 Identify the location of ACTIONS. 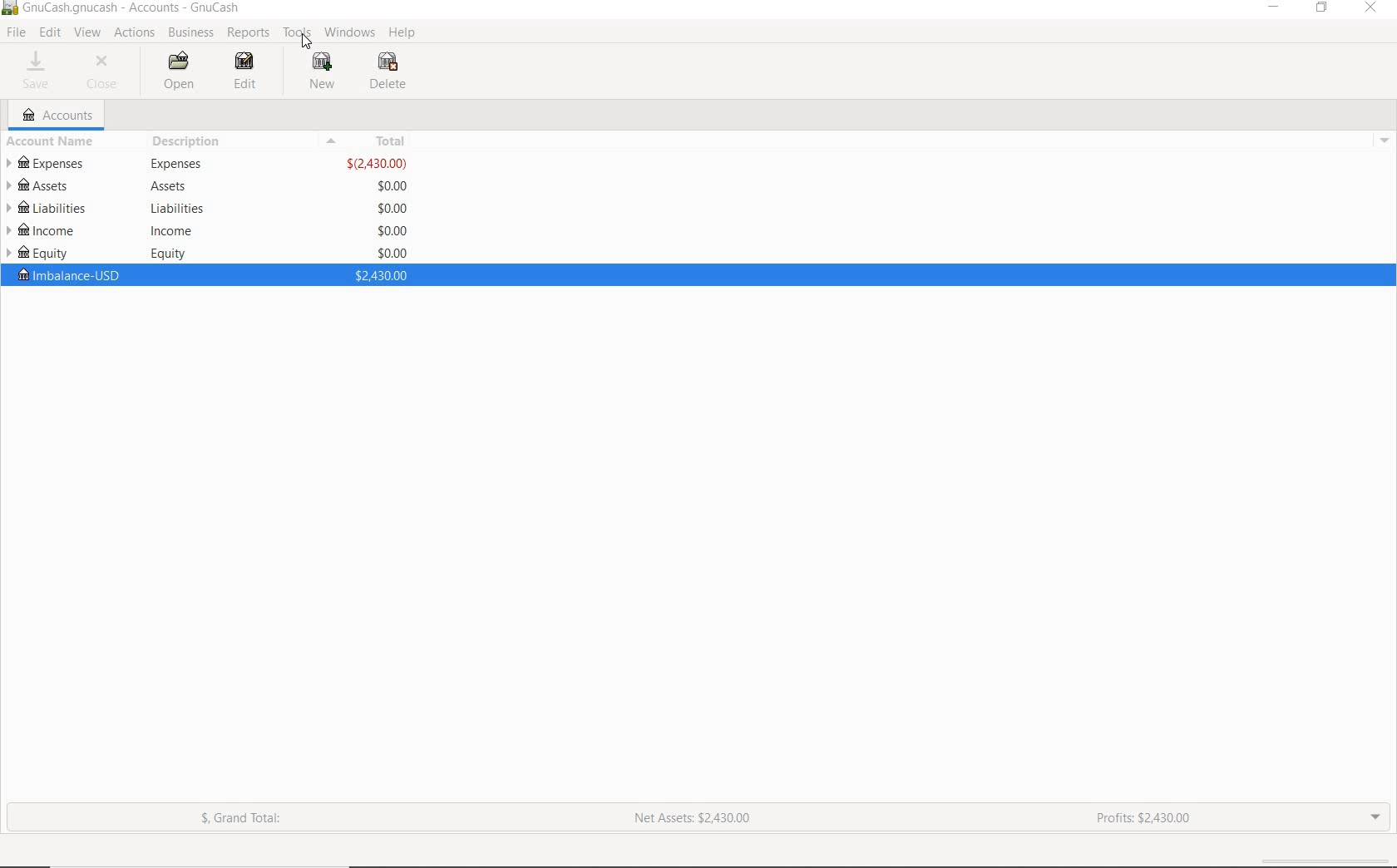
(136, 34).